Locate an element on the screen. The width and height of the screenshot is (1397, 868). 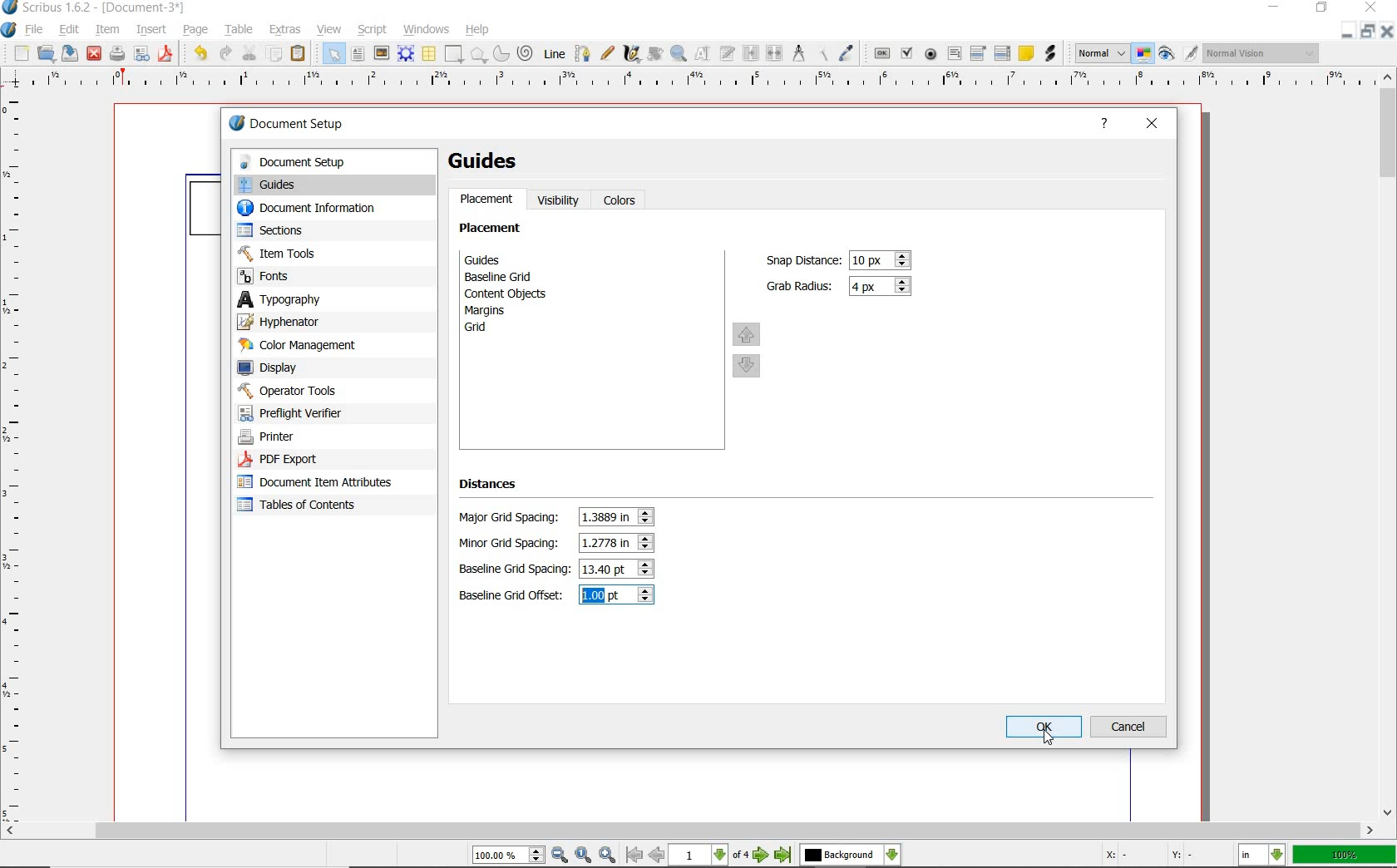
item tools is located at coordinates (324, 253).